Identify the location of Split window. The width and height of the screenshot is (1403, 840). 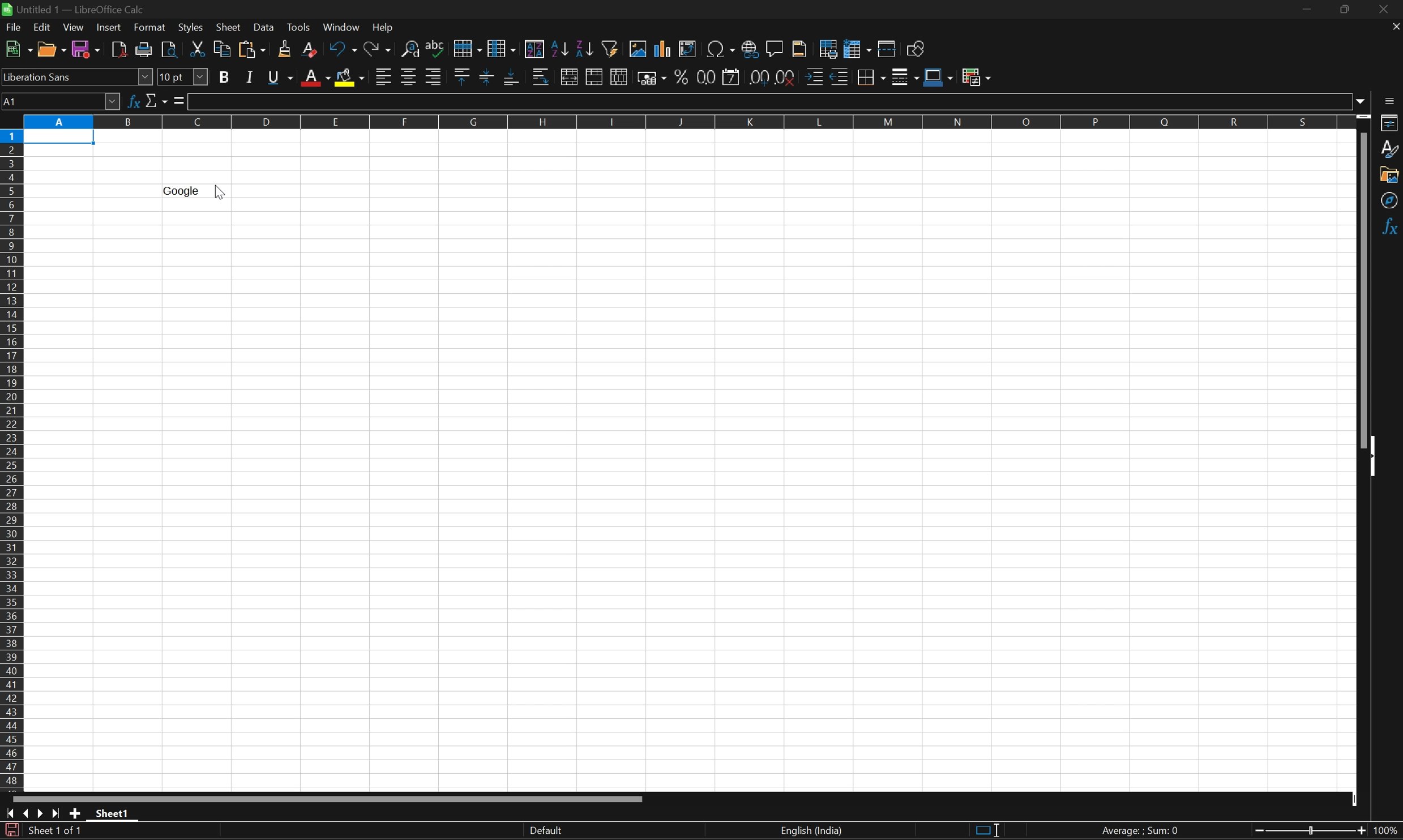
(886, 49).